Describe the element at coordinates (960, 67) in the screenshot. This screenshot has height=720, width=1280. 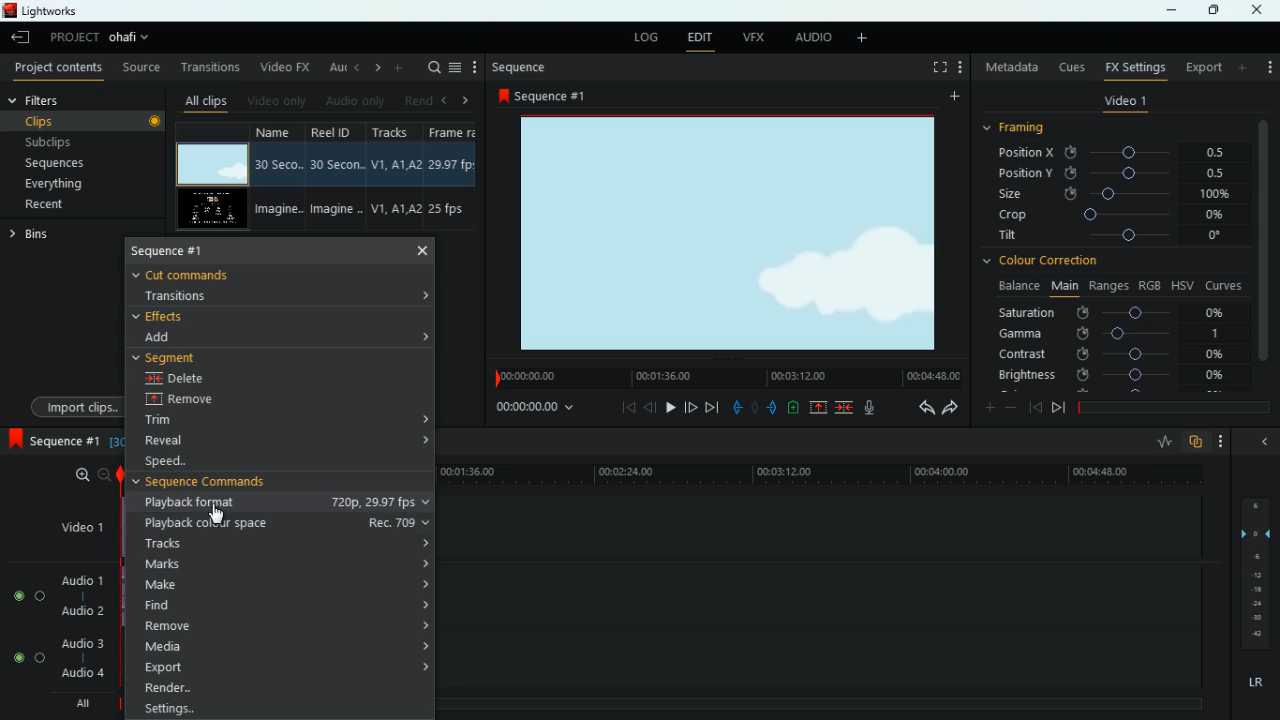
I see `add` at that location.